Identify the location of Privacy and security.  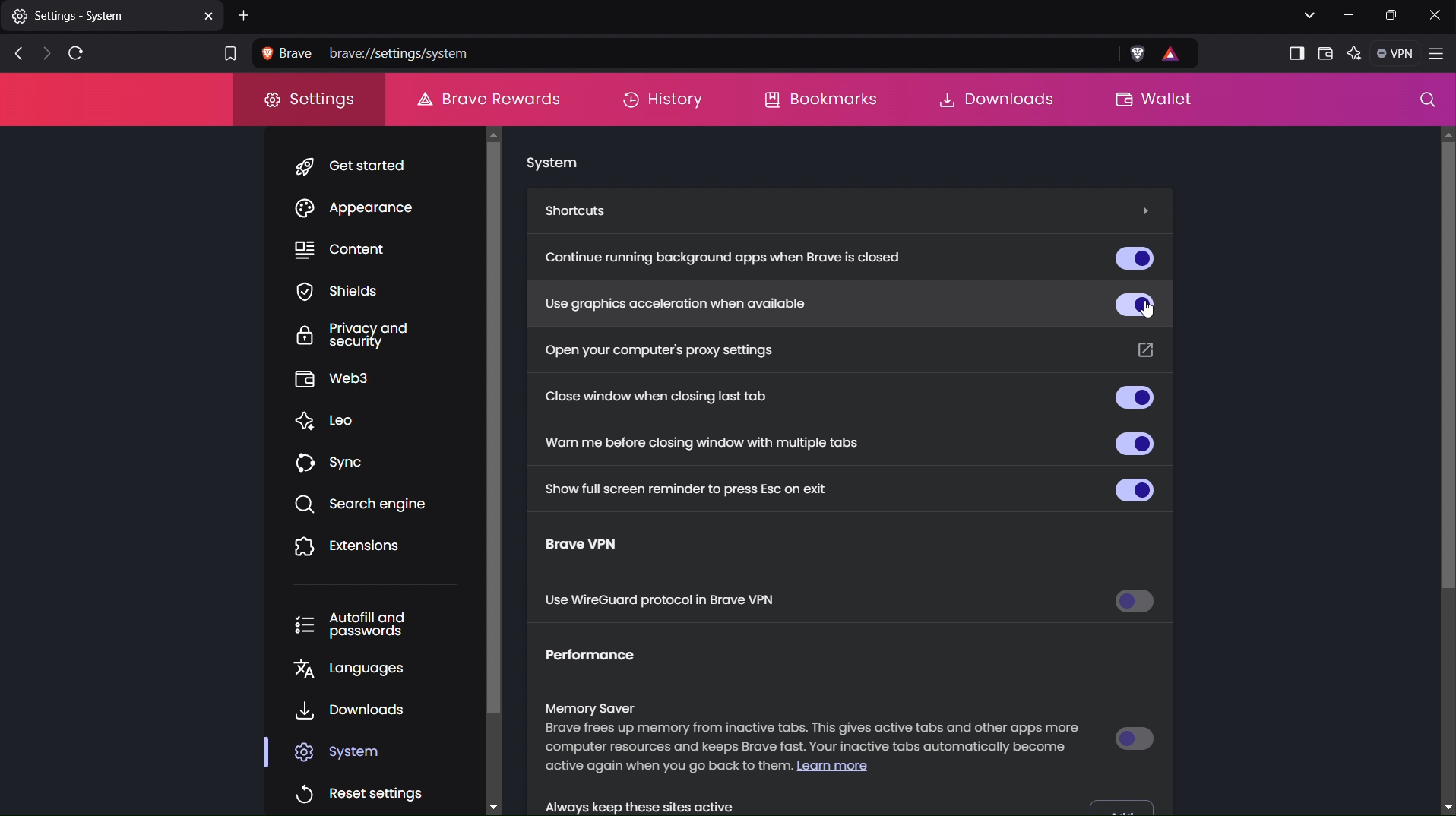
(365, 336).